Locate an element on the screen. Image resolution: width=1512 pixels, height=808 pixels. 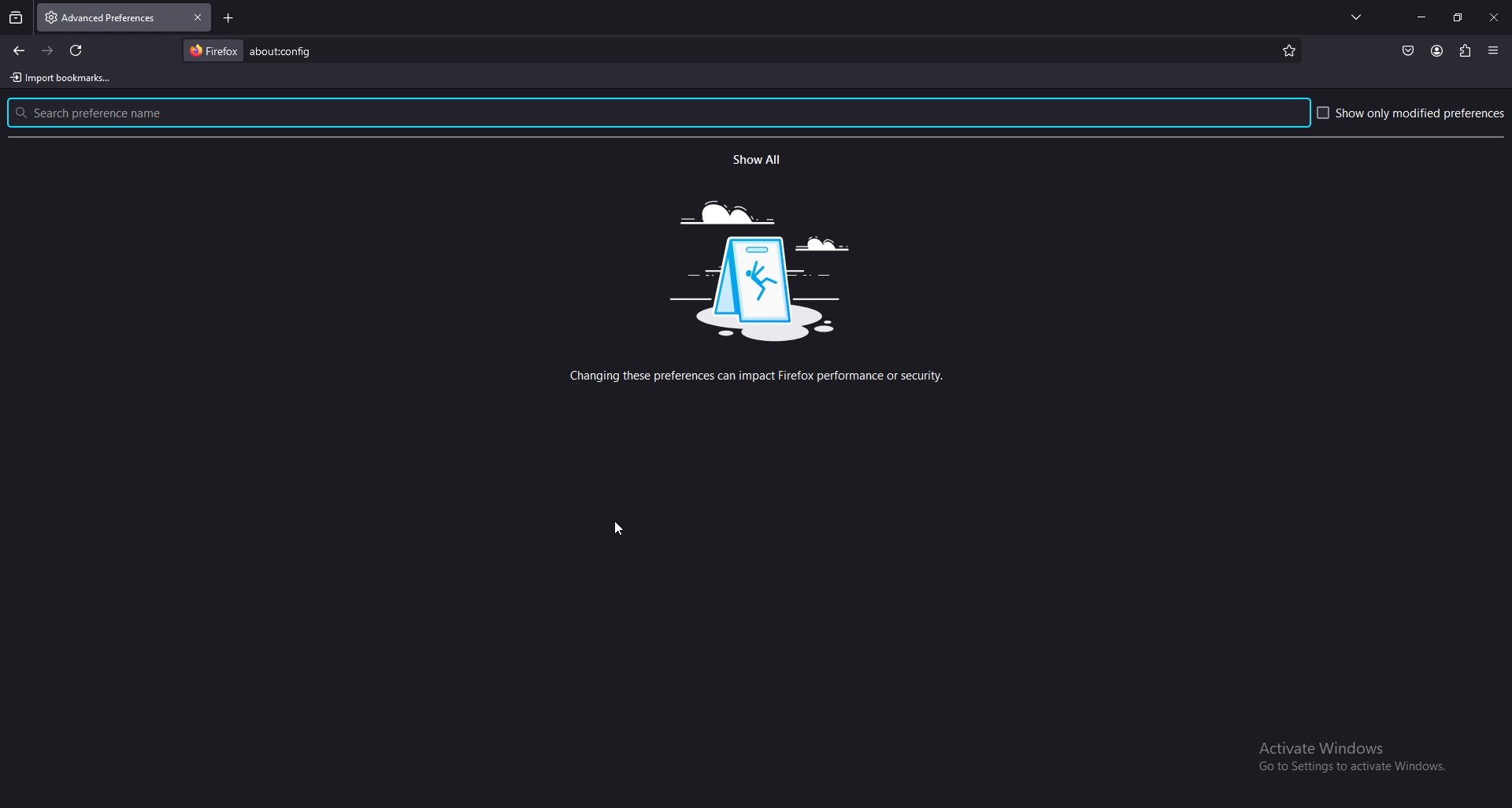
new tab is located at coordinates (231, 18).